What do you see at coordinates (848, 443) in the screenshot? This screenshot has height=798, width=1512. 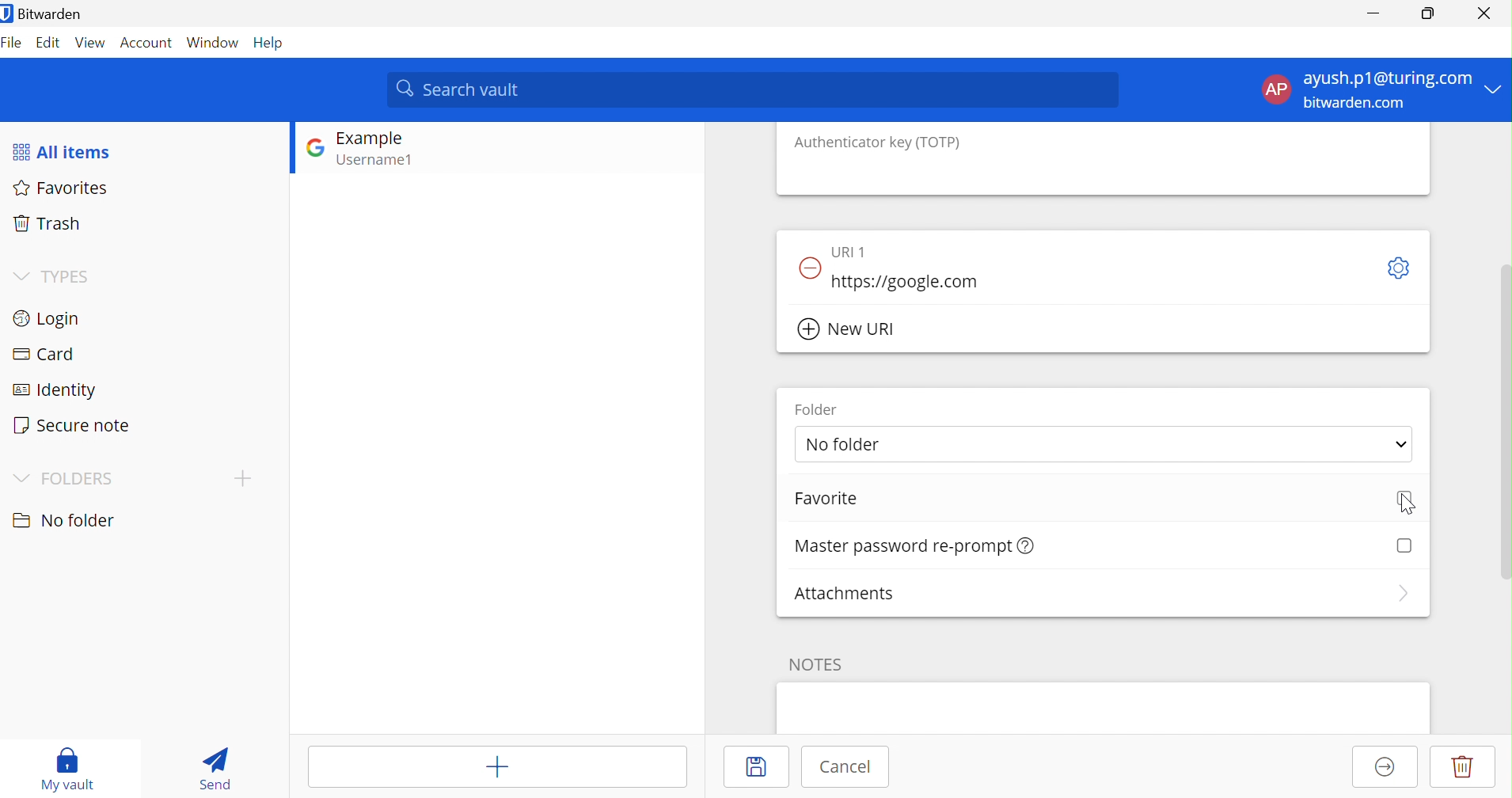 I see `No folder` at bounding box center [848, 443].